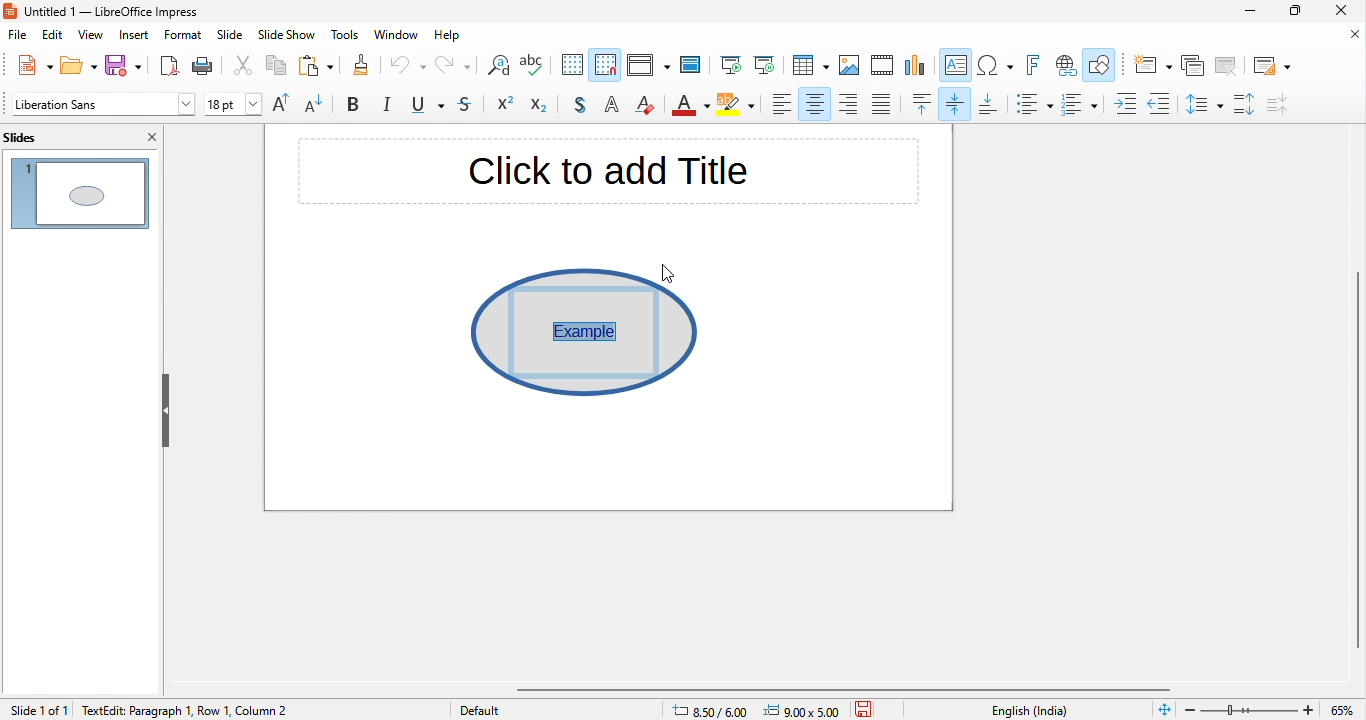 The height and width of the screenshot is (720, 1366). What do you see at coordinates (691, 107) in the screenshot?
I see `font color` at bounding box center [691, 107].